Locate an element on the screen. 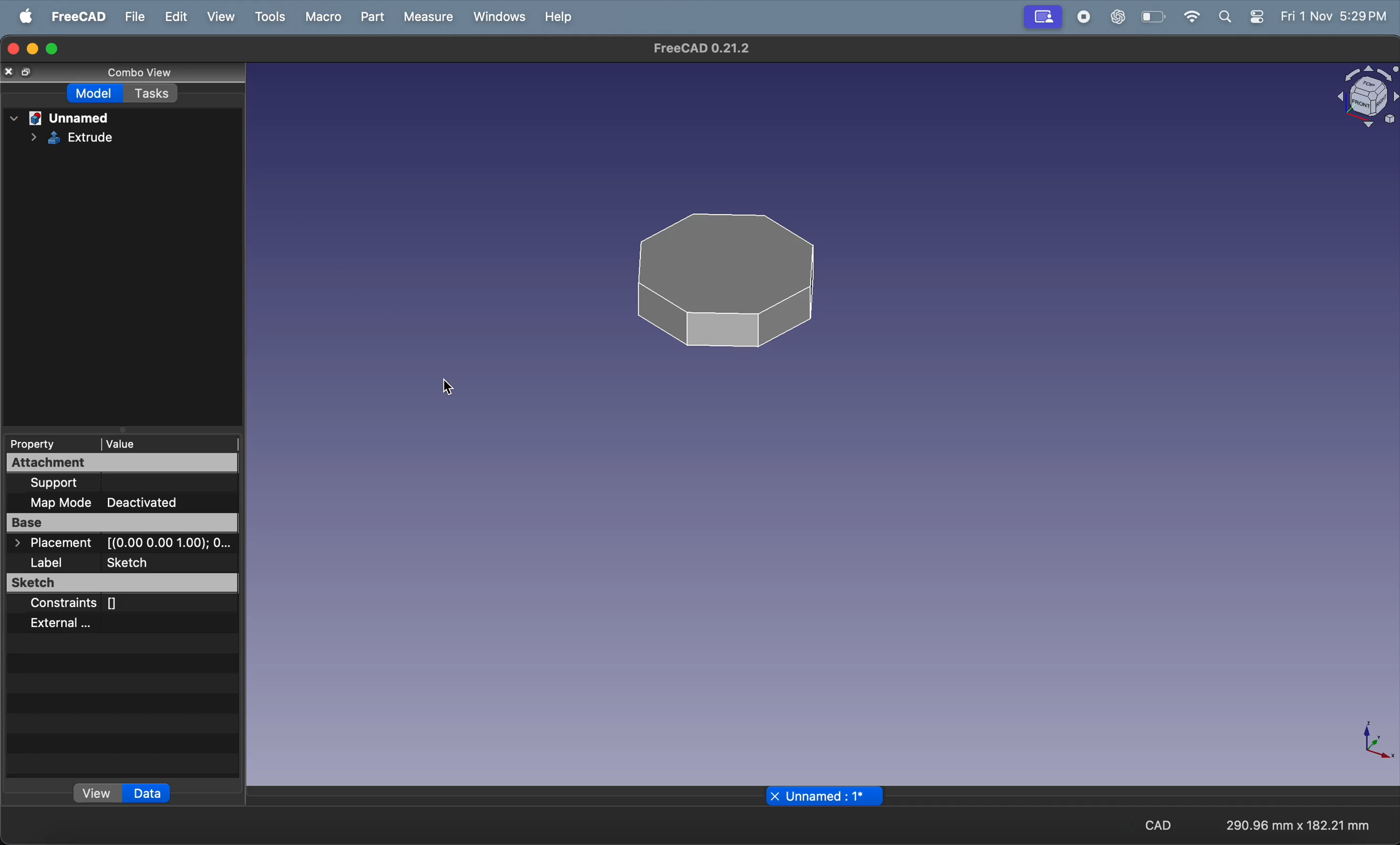 The image size is (1400, 845). edit is located at coordinates (174, 16).